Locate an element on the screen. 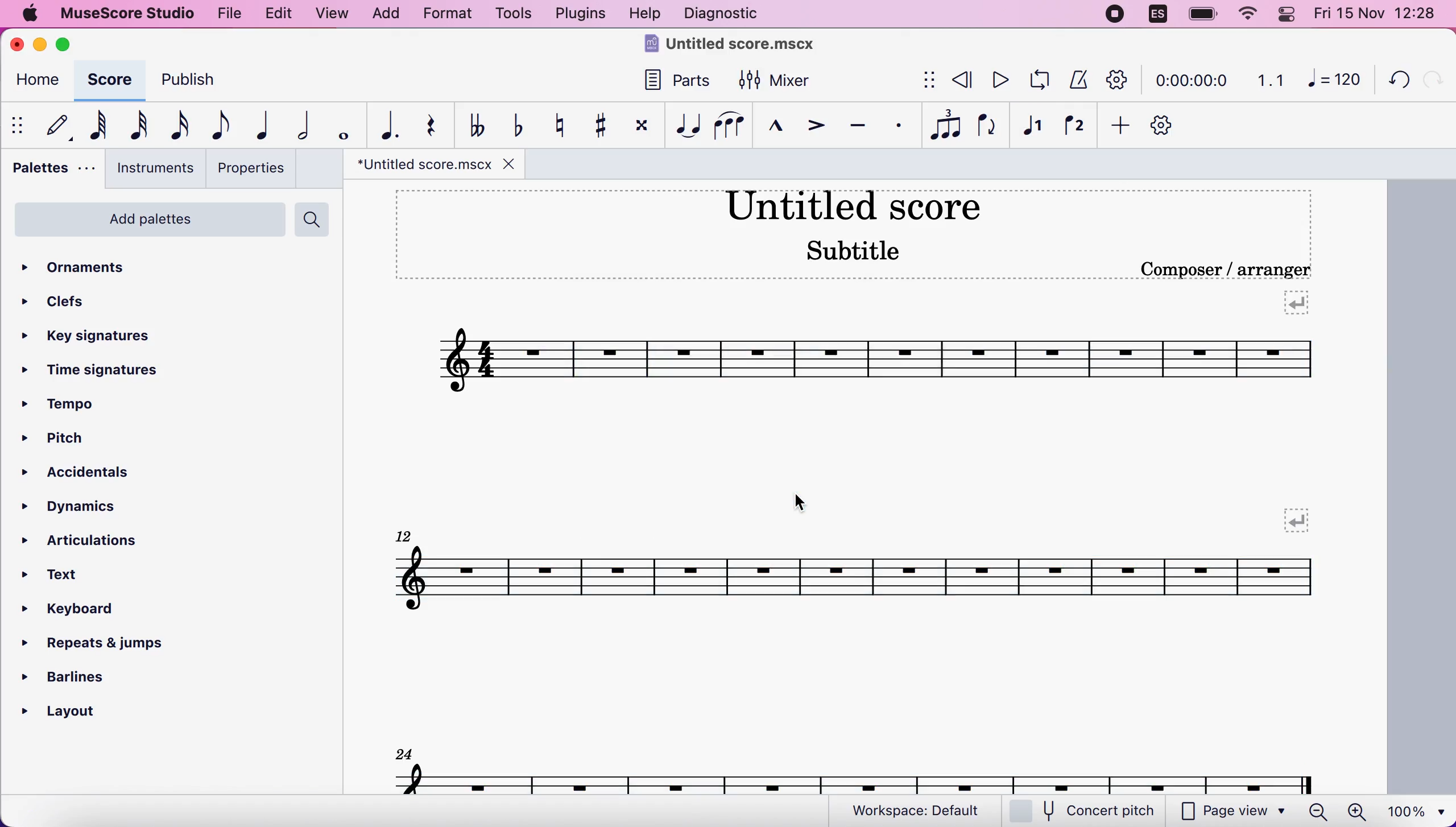 Image resolution: width=1456 pixels, height=827 pixels. concert pitch is located at coordinates (1089, 812).